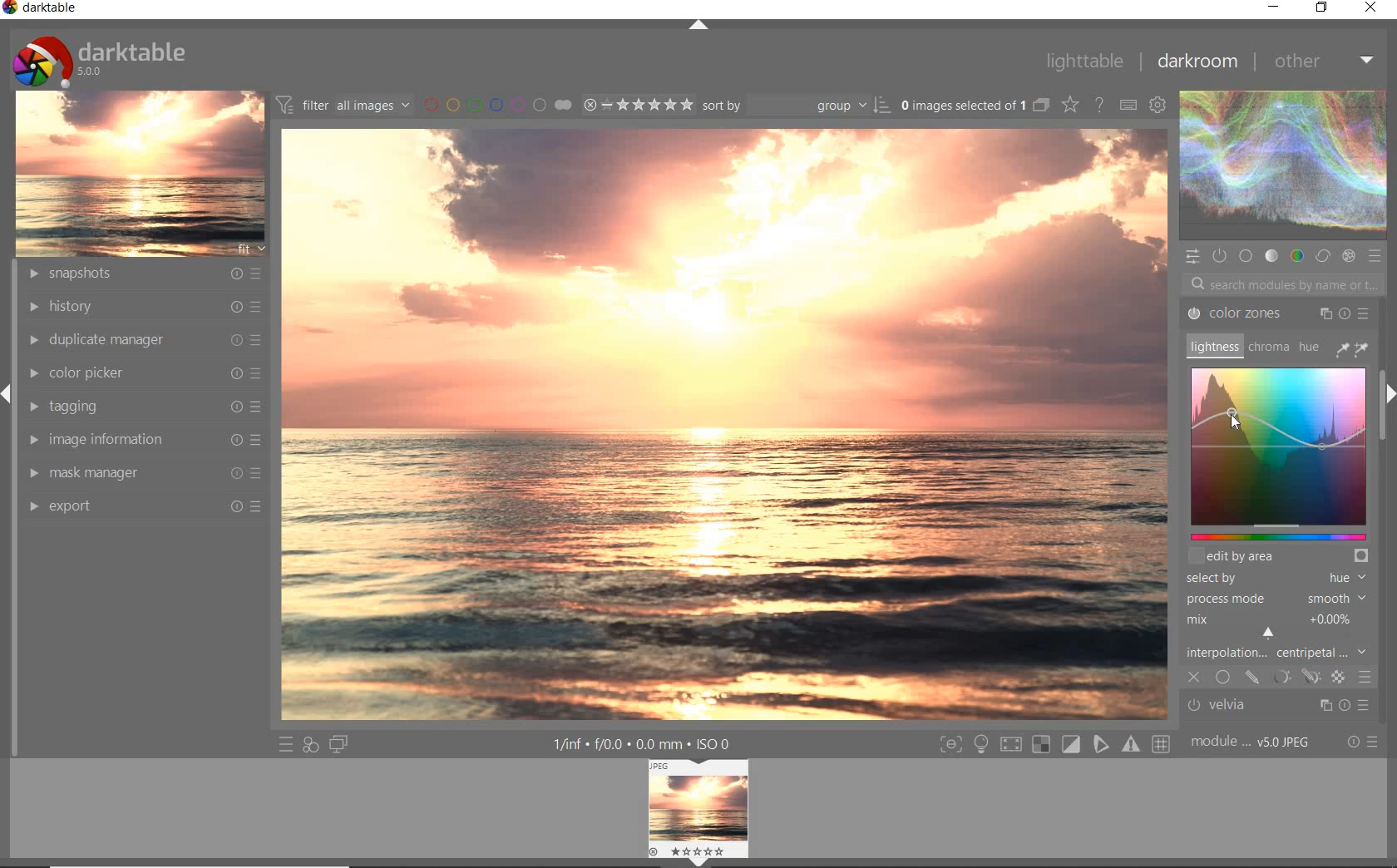  Describe the element at coordinates (1284, 284) in the screenshot. I see `SEARCH MODULES` at that location.